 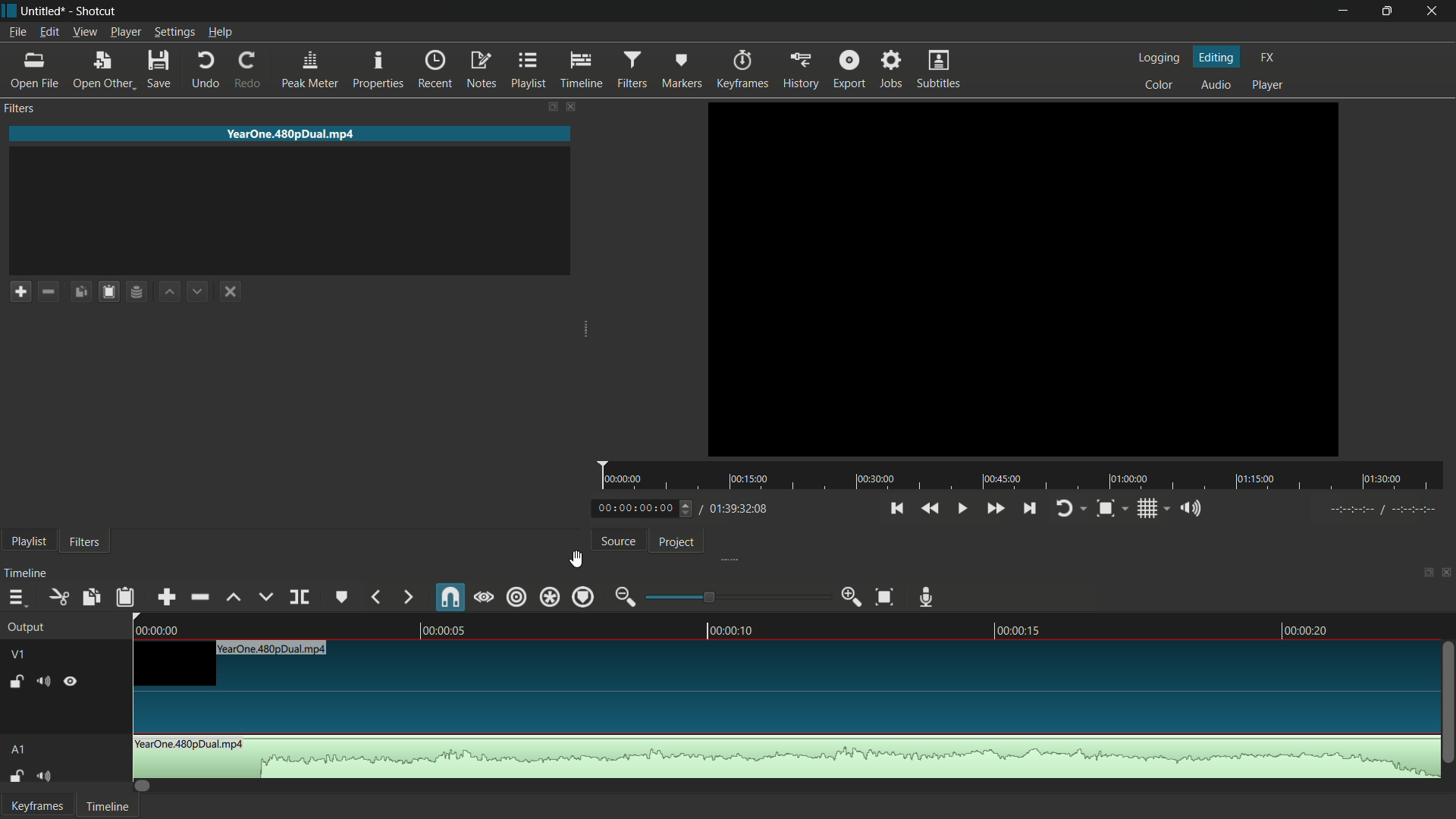 What do you see at coordinates (168, 292) in the screenshot?
I see `move filter up` at bounding box center [168, 292].